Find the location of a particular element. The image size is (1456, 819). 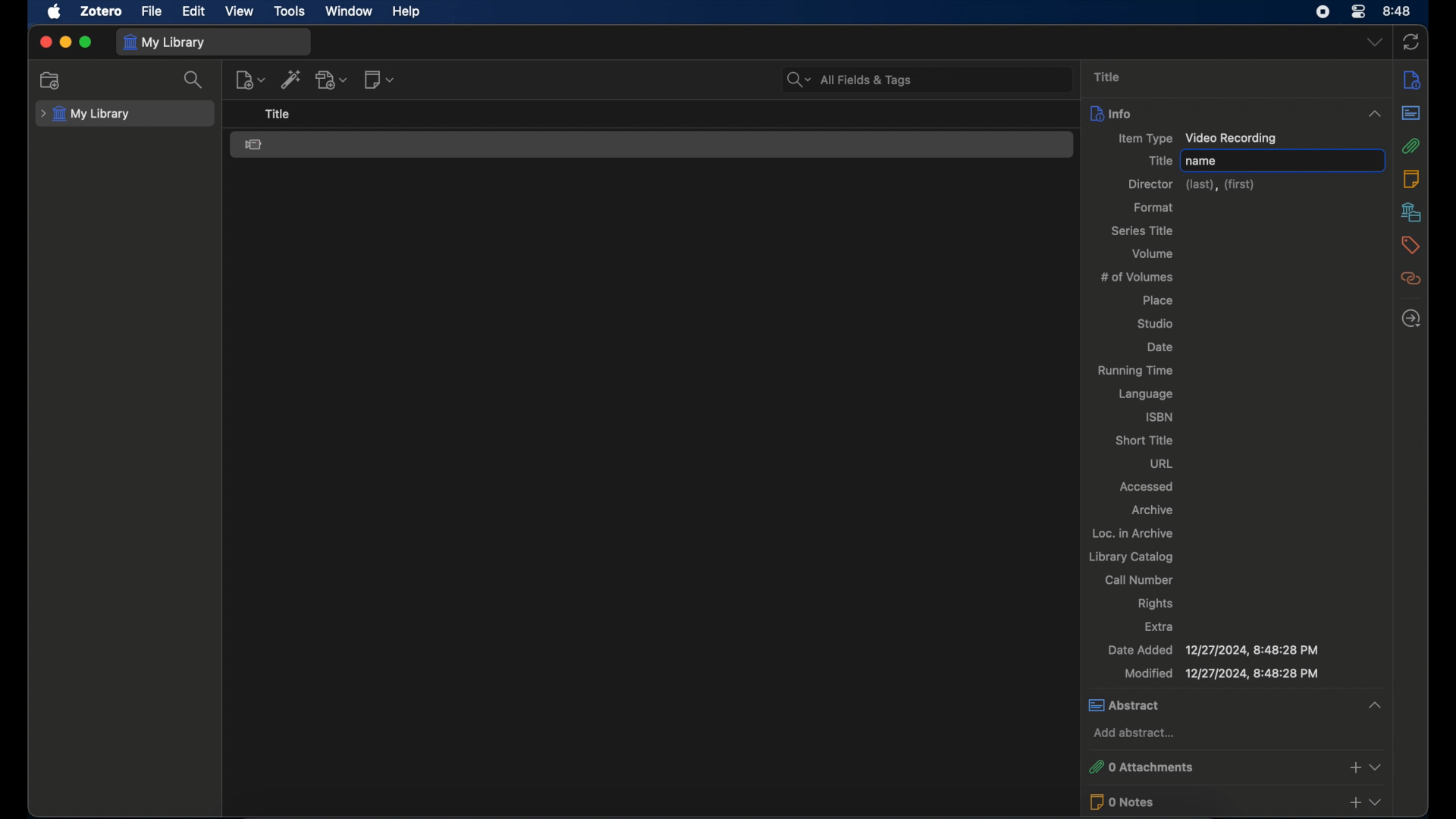

close is located at coordinates (45, 41).